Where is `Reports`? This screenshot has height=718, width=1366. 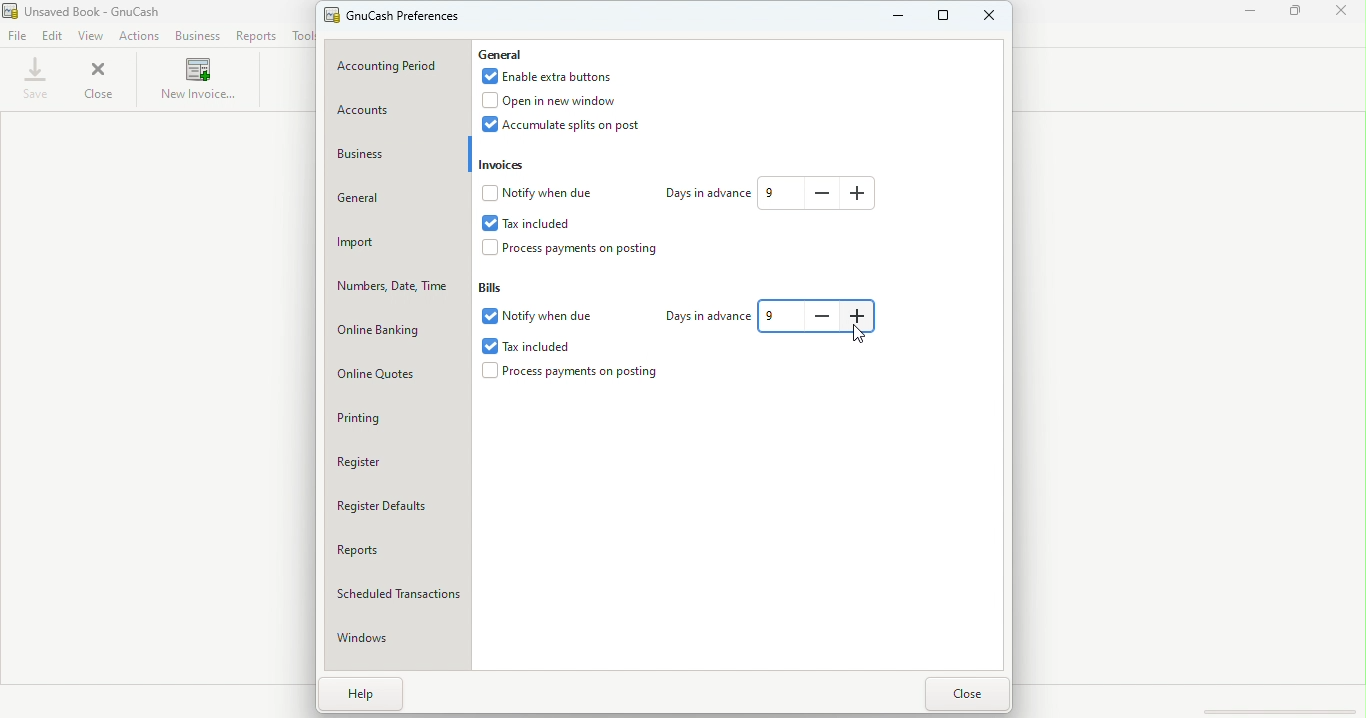
Reports is located at coordinates (259, 34).